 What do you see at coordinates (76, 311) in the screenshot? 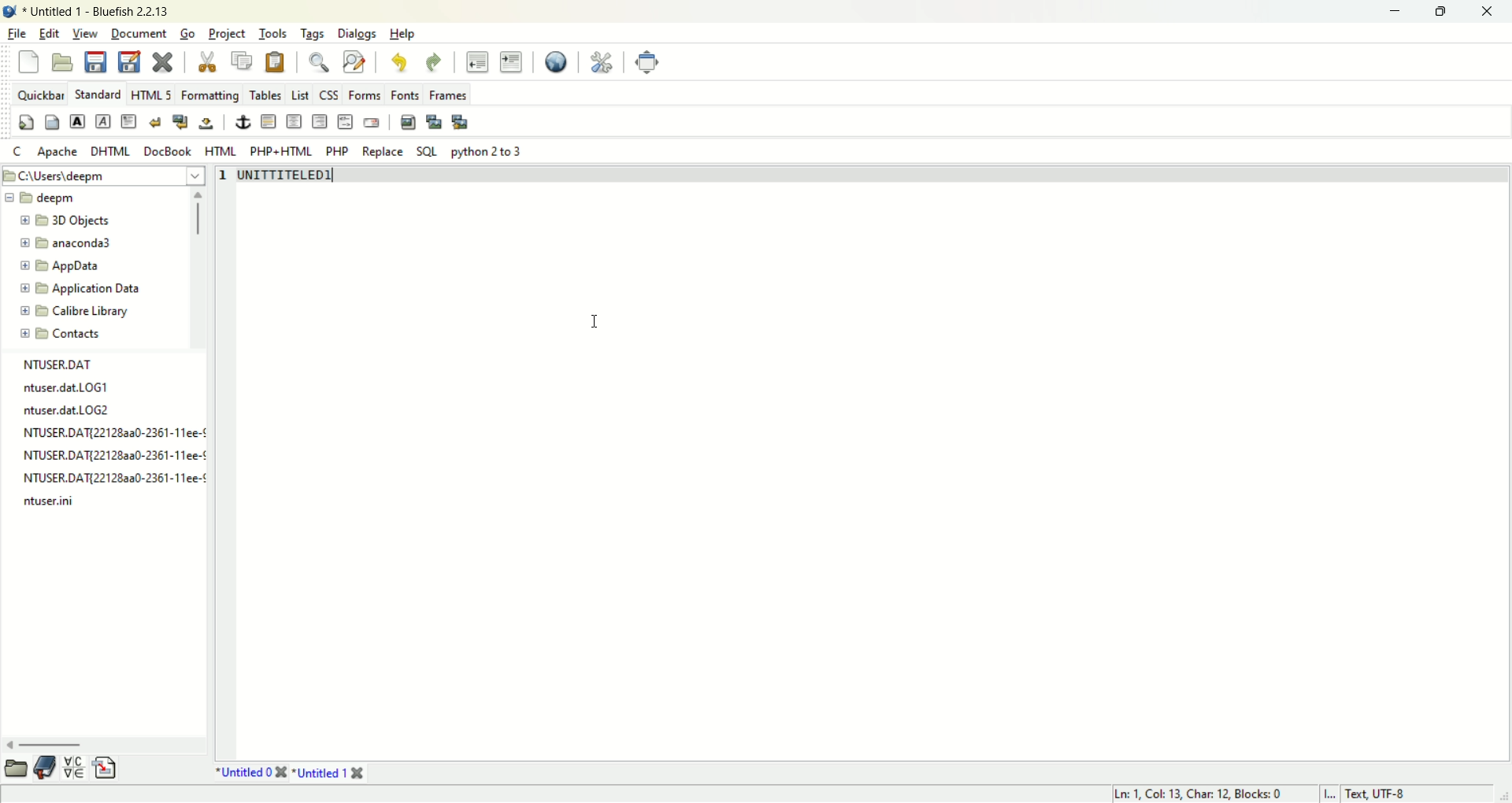
I see `calibre library` at bounding box center [76, 311].